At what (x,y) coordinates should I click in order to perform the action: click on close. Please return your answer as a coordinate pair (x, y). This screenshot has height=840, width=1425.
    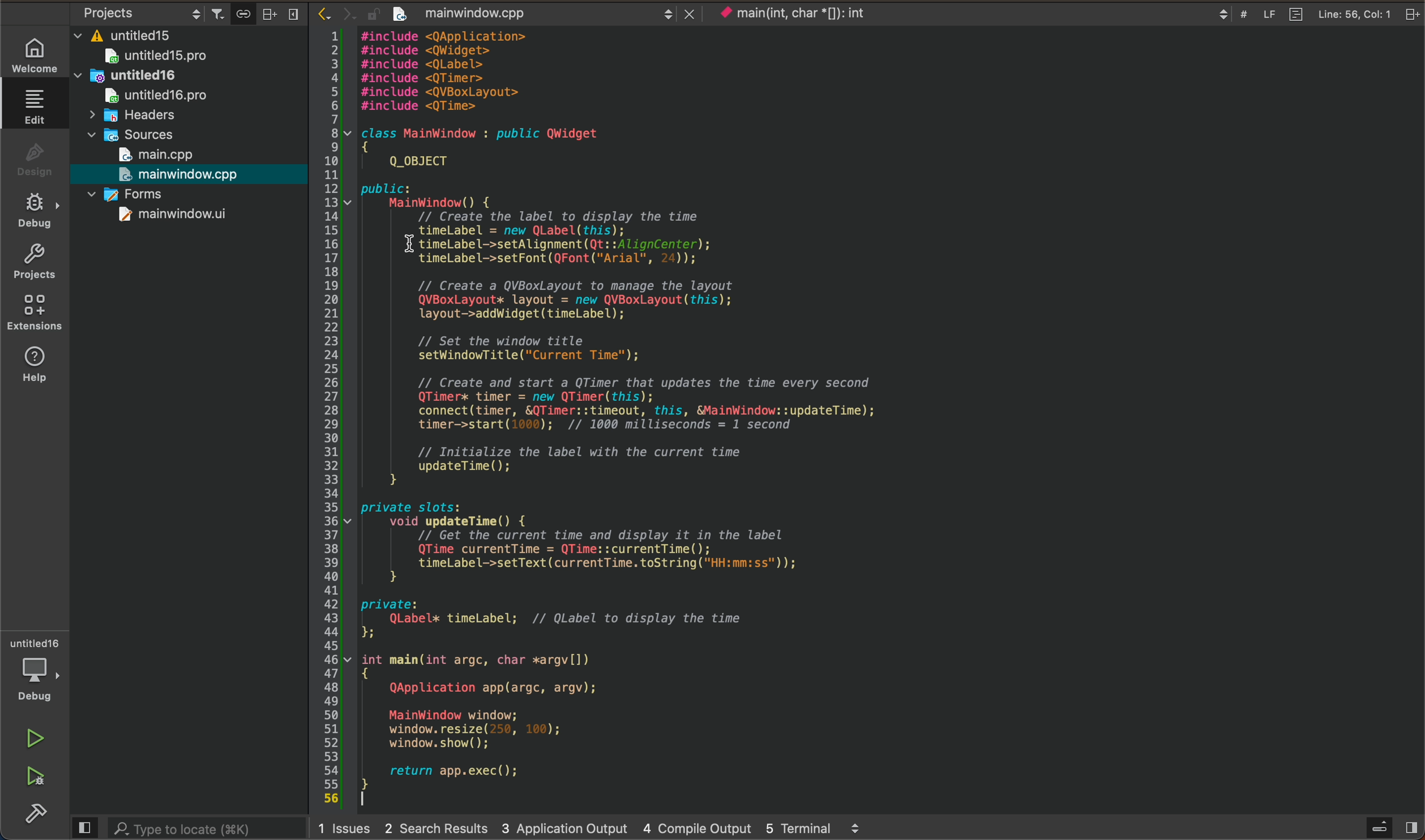
    Looking at the image, I should click on (691, 13).